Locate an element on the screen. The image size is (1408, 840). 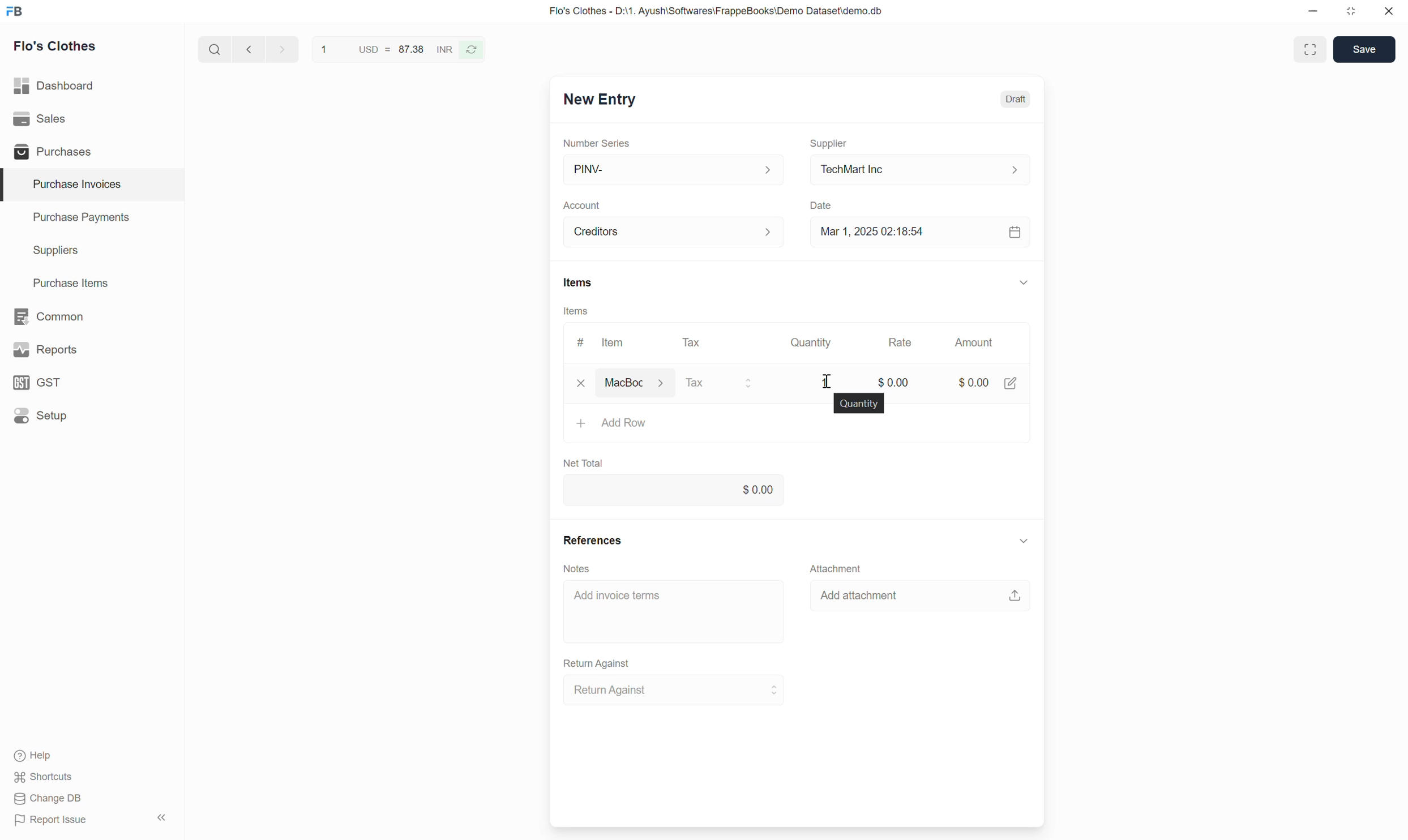
Shortcuts is located at coordinates (44, 777).